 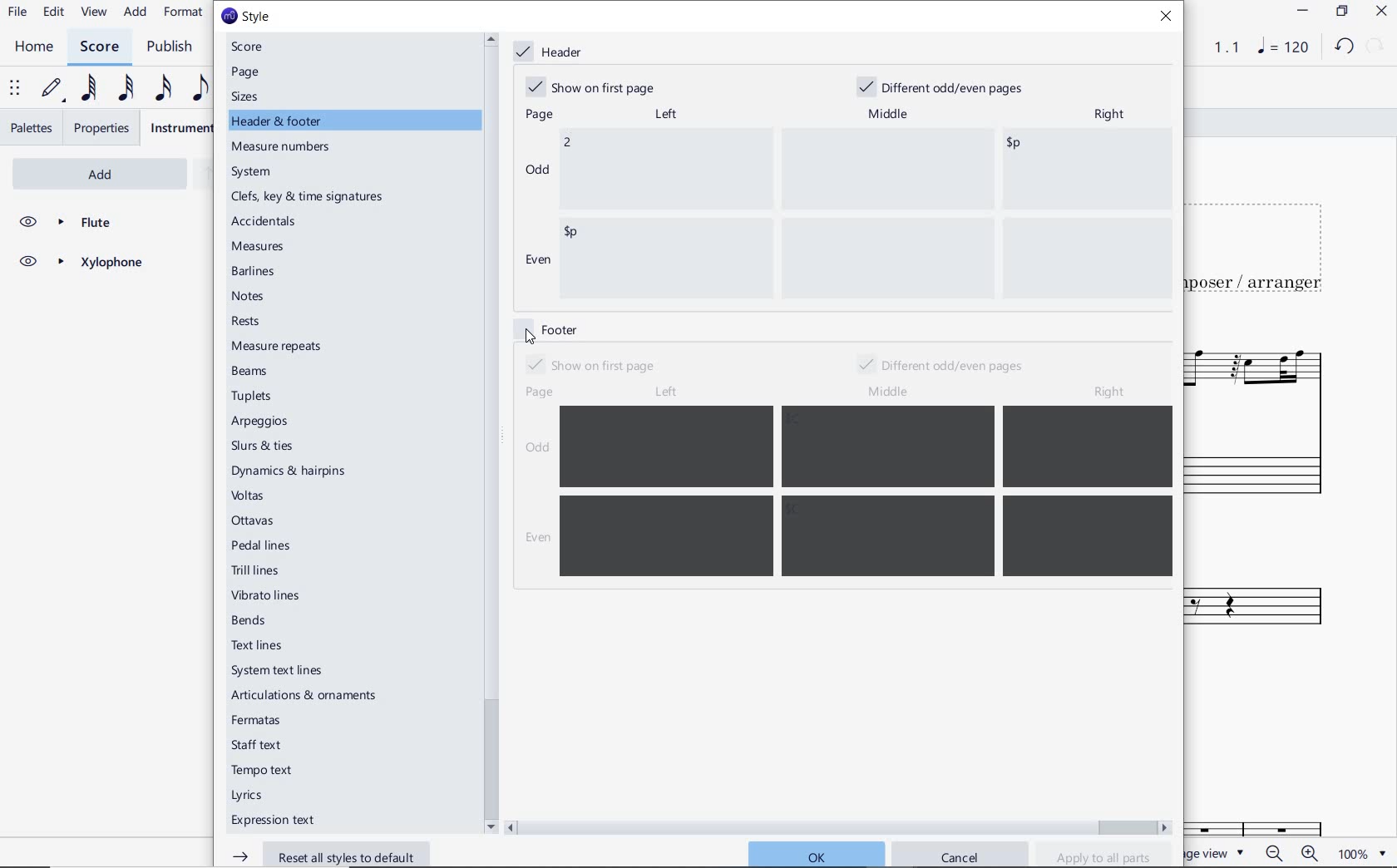 What do you see at coordinates (258, 645) in the screenshot?
I see `text lines` at bounding box center [258, 645].